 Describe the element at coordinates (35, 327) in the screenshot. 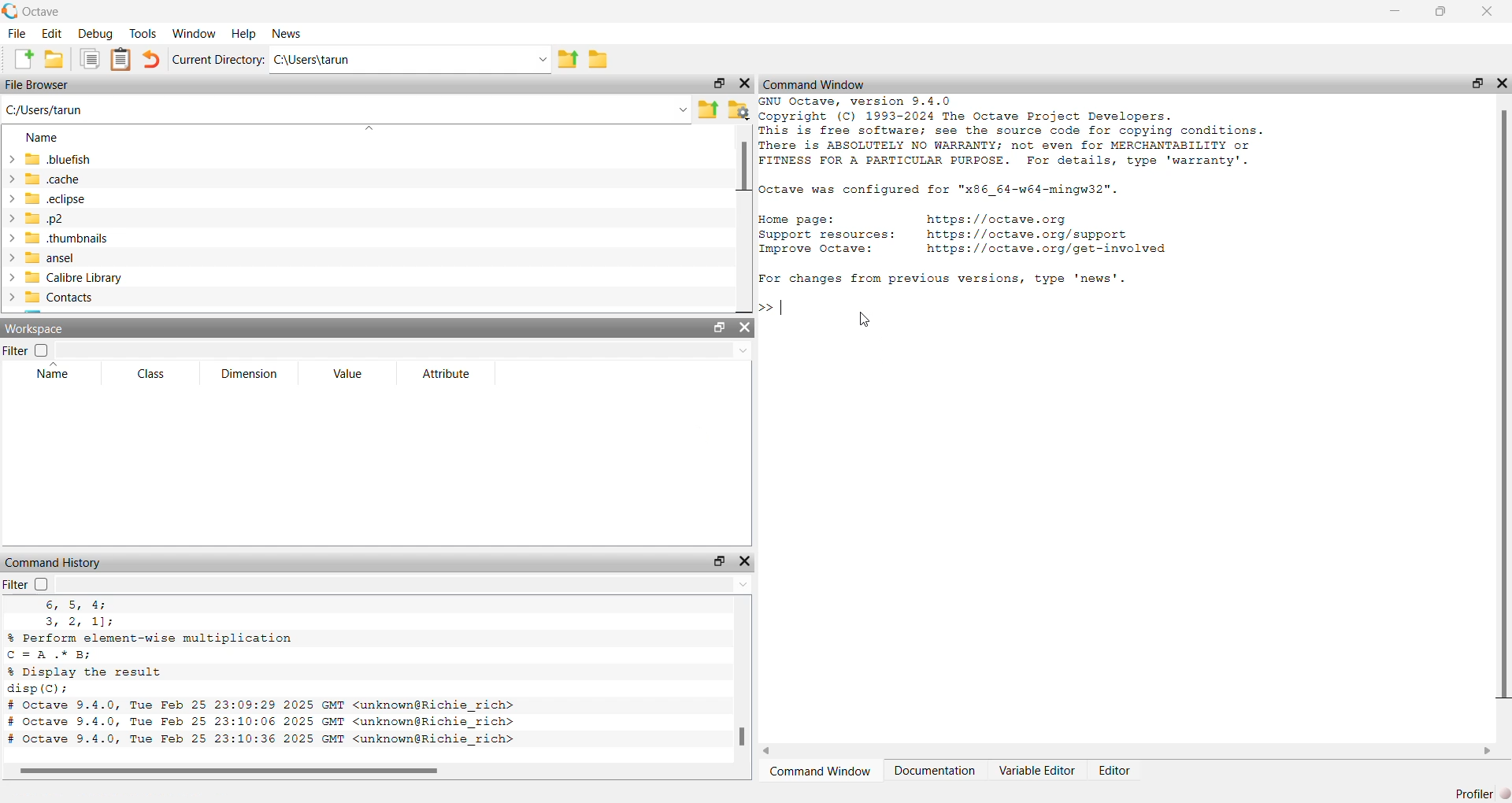

I see `Workspace` at that location.